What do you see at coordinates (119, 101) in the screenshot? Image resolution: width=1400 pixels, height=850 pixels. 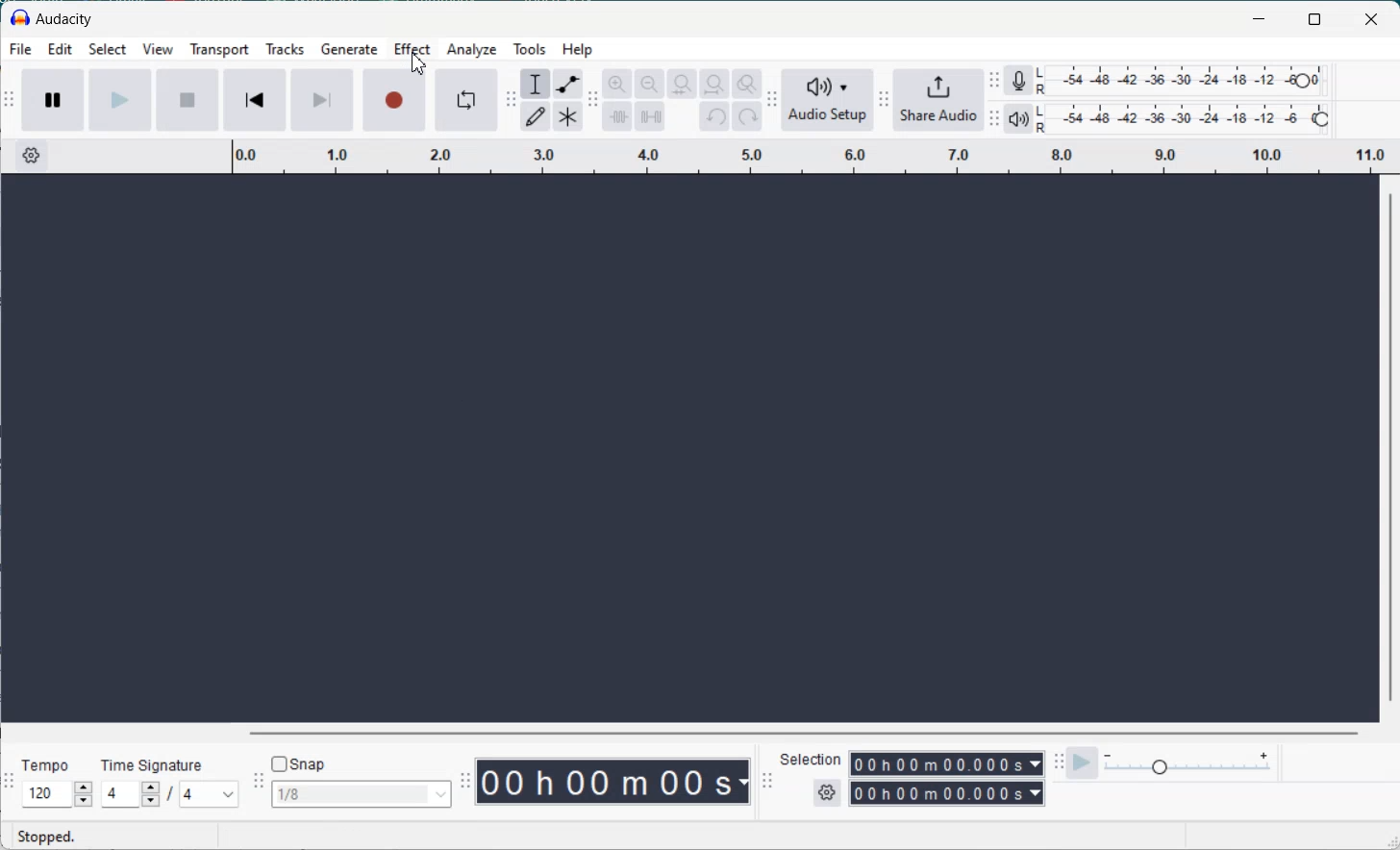 I see `Play` at bounding box center [119, 101].